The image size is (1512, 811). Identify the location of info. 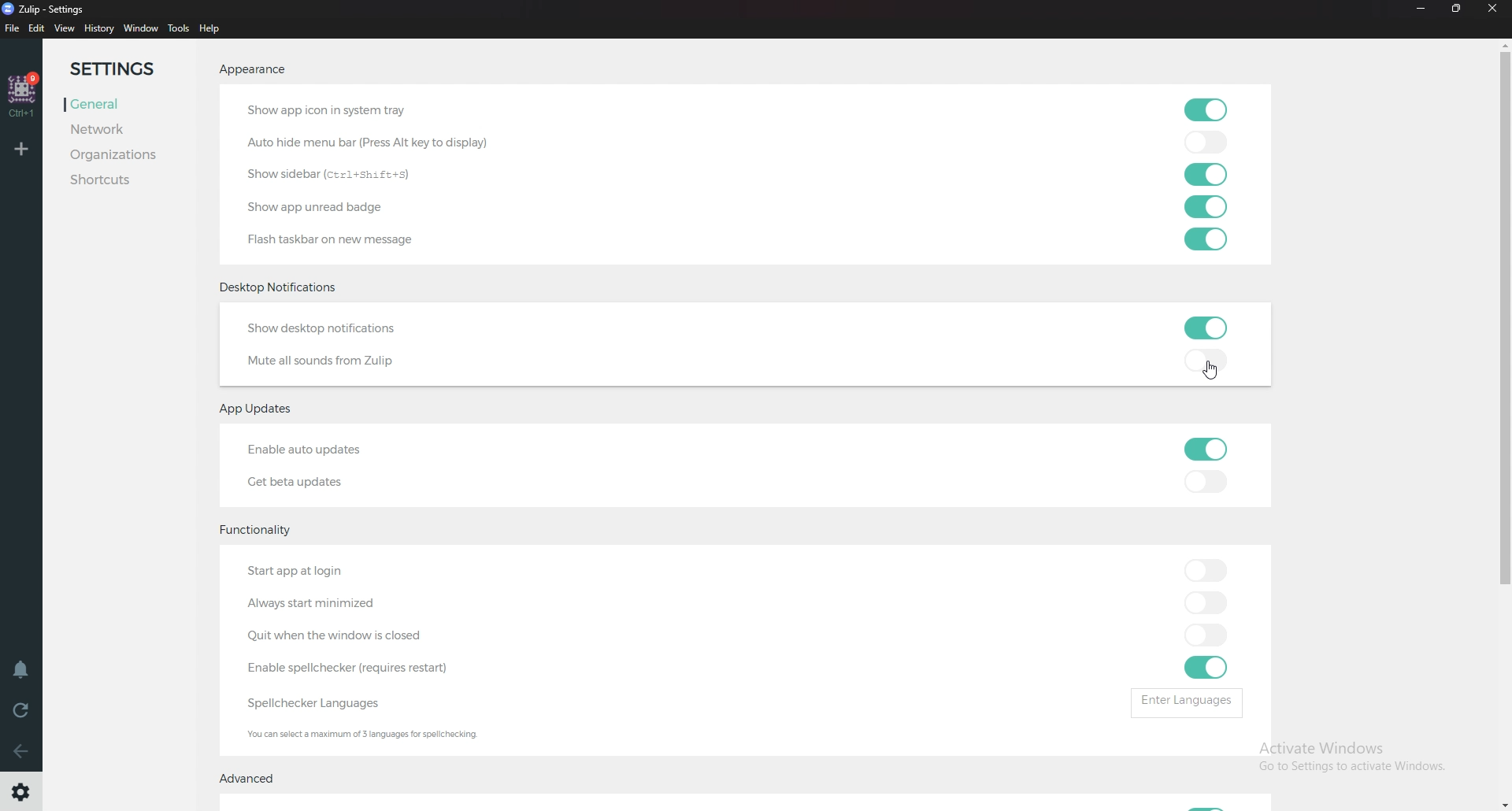
(369, 733).